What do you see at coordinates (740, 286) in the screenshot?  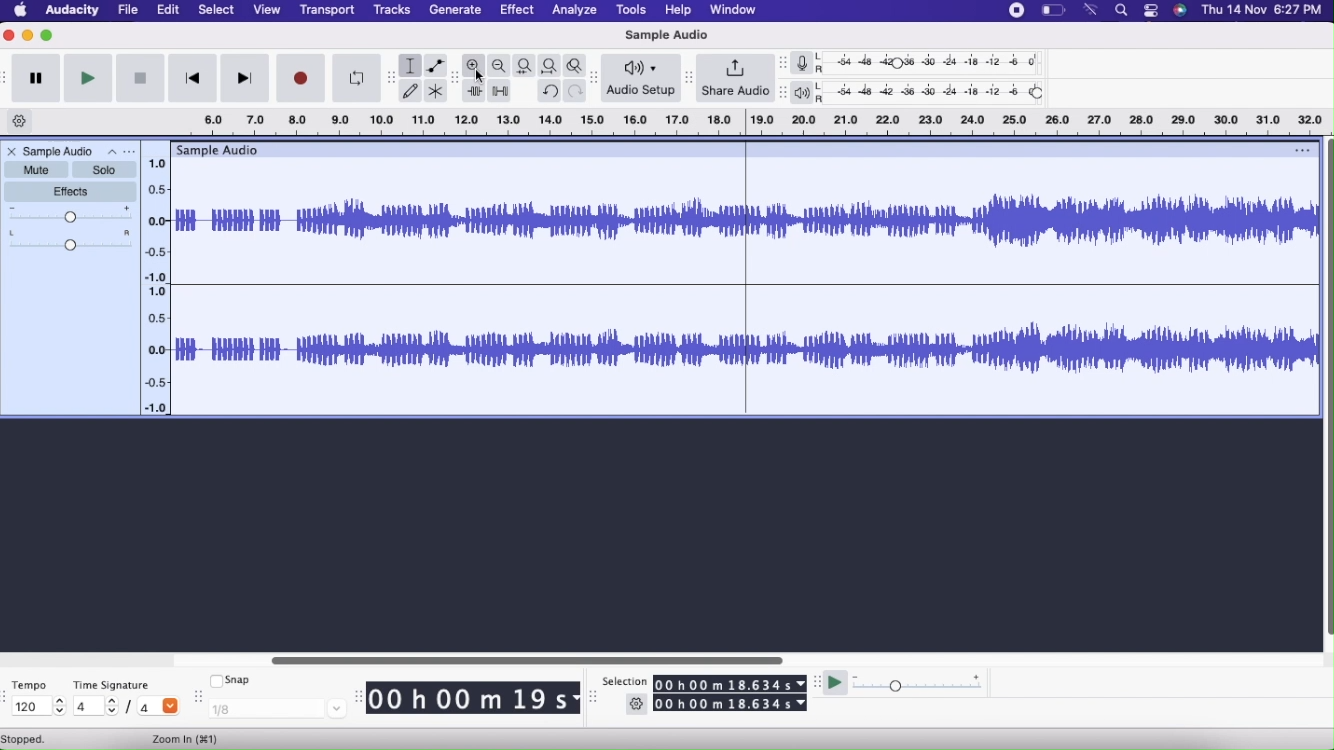 I see `Audio File` at bounding box center [740, 286].